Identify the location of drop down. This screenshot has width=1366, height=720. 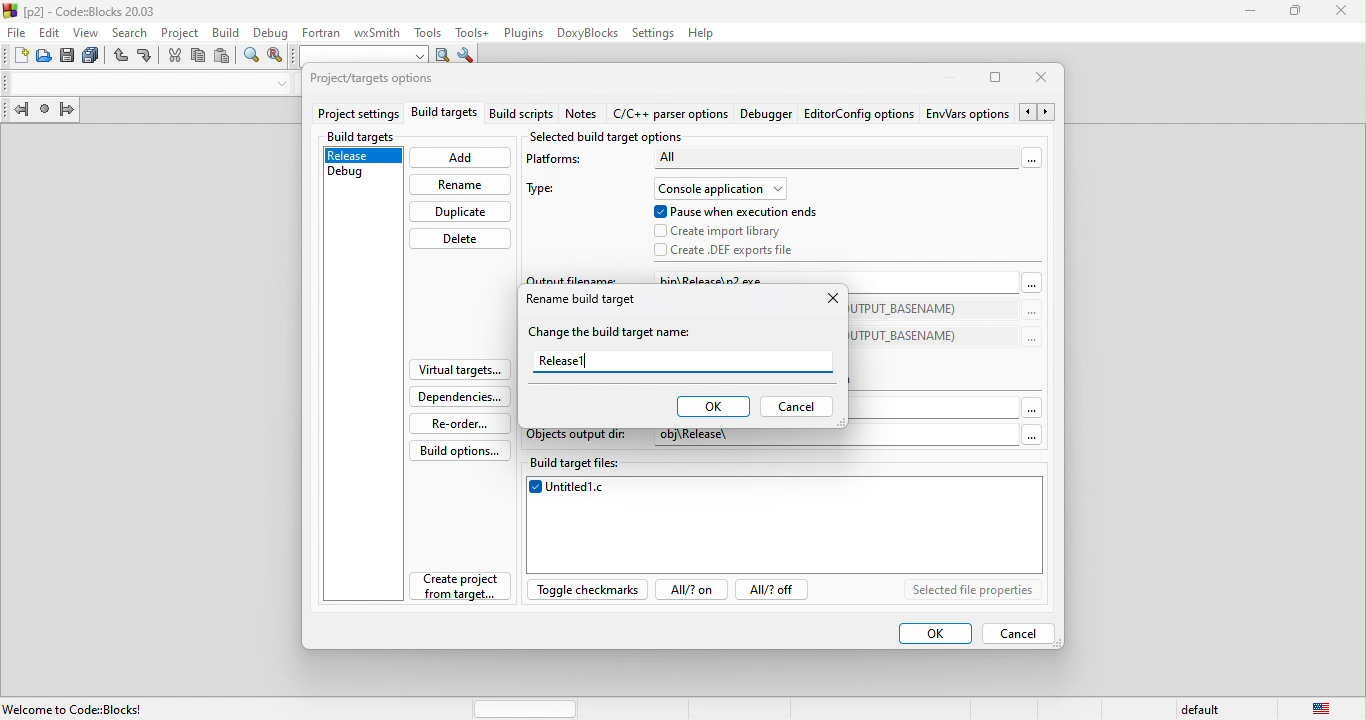
(278, 84).